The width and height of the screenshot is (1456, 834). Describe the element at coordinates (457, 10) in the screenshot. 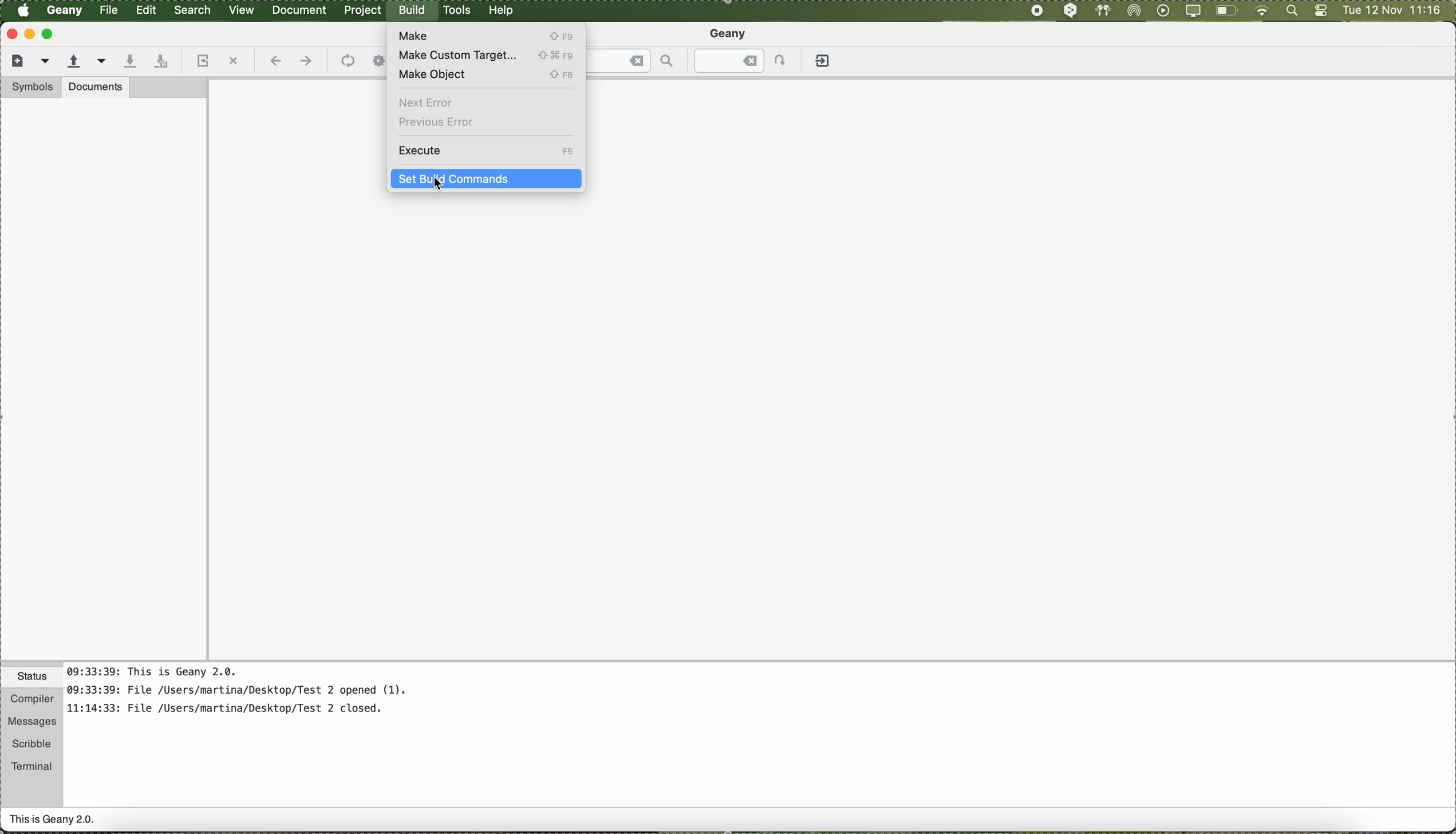

I see `tools` at that location.